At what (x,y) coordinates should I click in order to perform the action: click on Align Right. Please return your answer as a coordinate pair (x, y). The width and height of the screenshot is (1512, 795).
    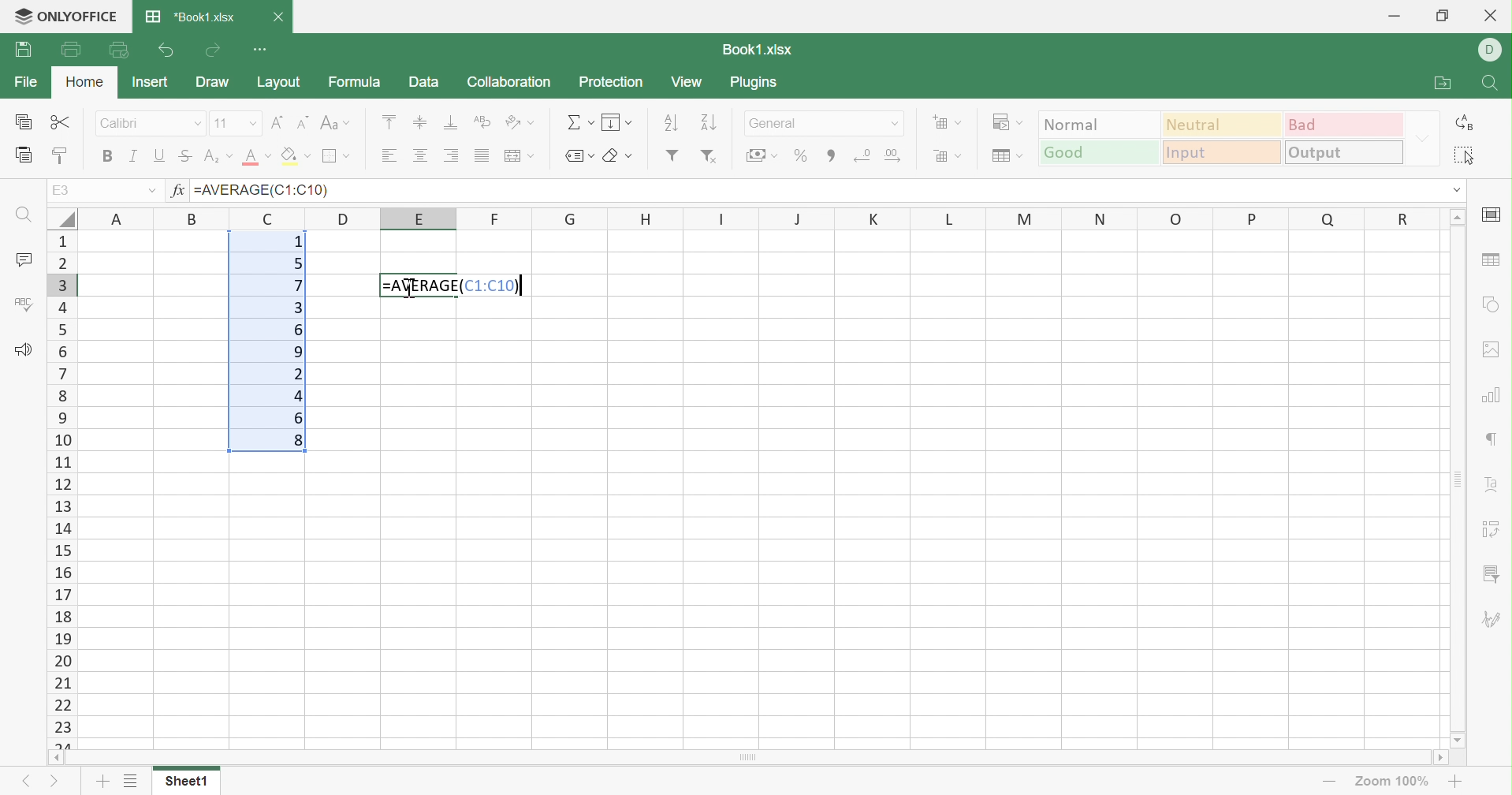
    Looking at the image, I should click on (392, 157).